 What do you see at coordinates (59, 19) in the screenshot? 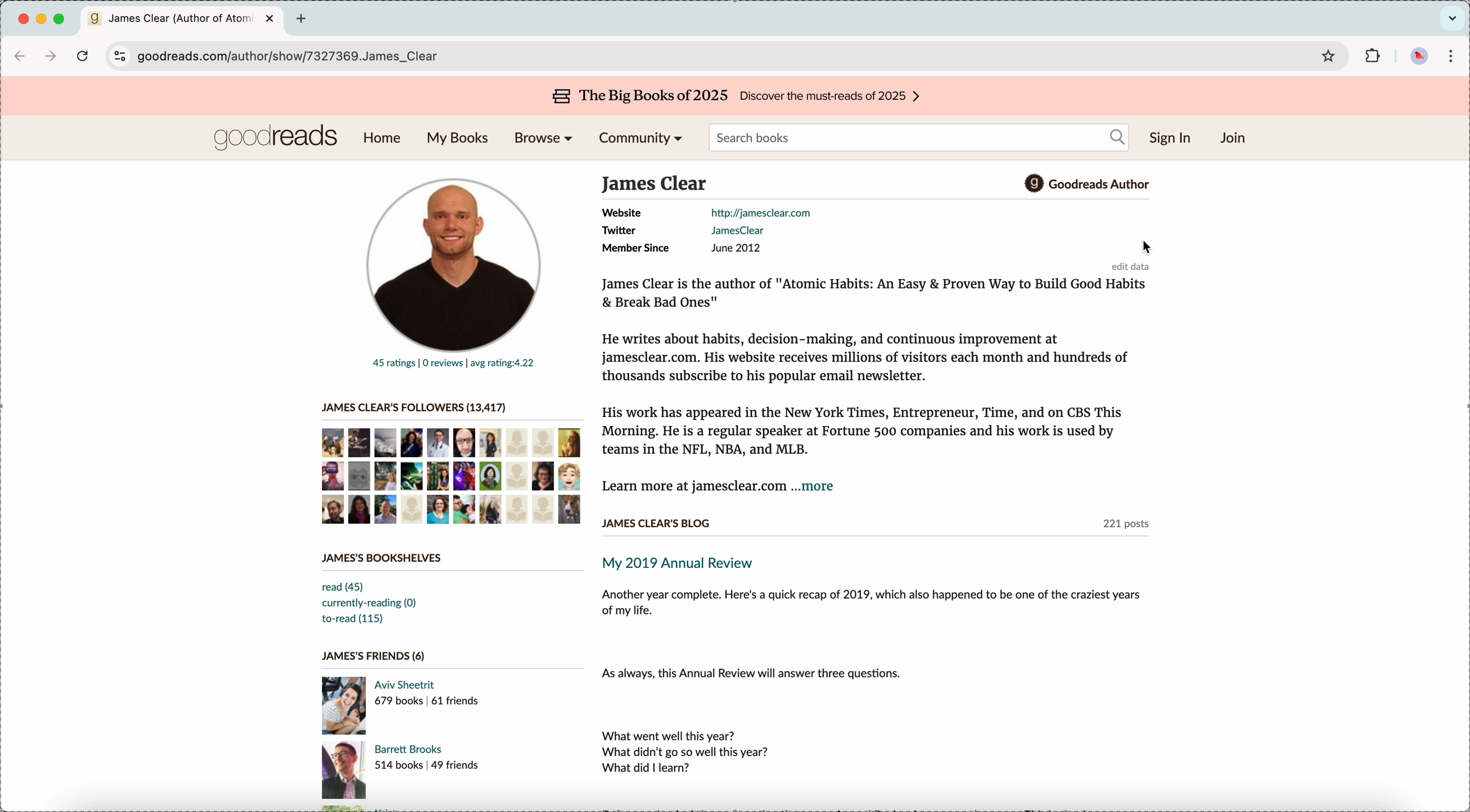
I see `maximize Chrome` at bounding box center [59, 19].